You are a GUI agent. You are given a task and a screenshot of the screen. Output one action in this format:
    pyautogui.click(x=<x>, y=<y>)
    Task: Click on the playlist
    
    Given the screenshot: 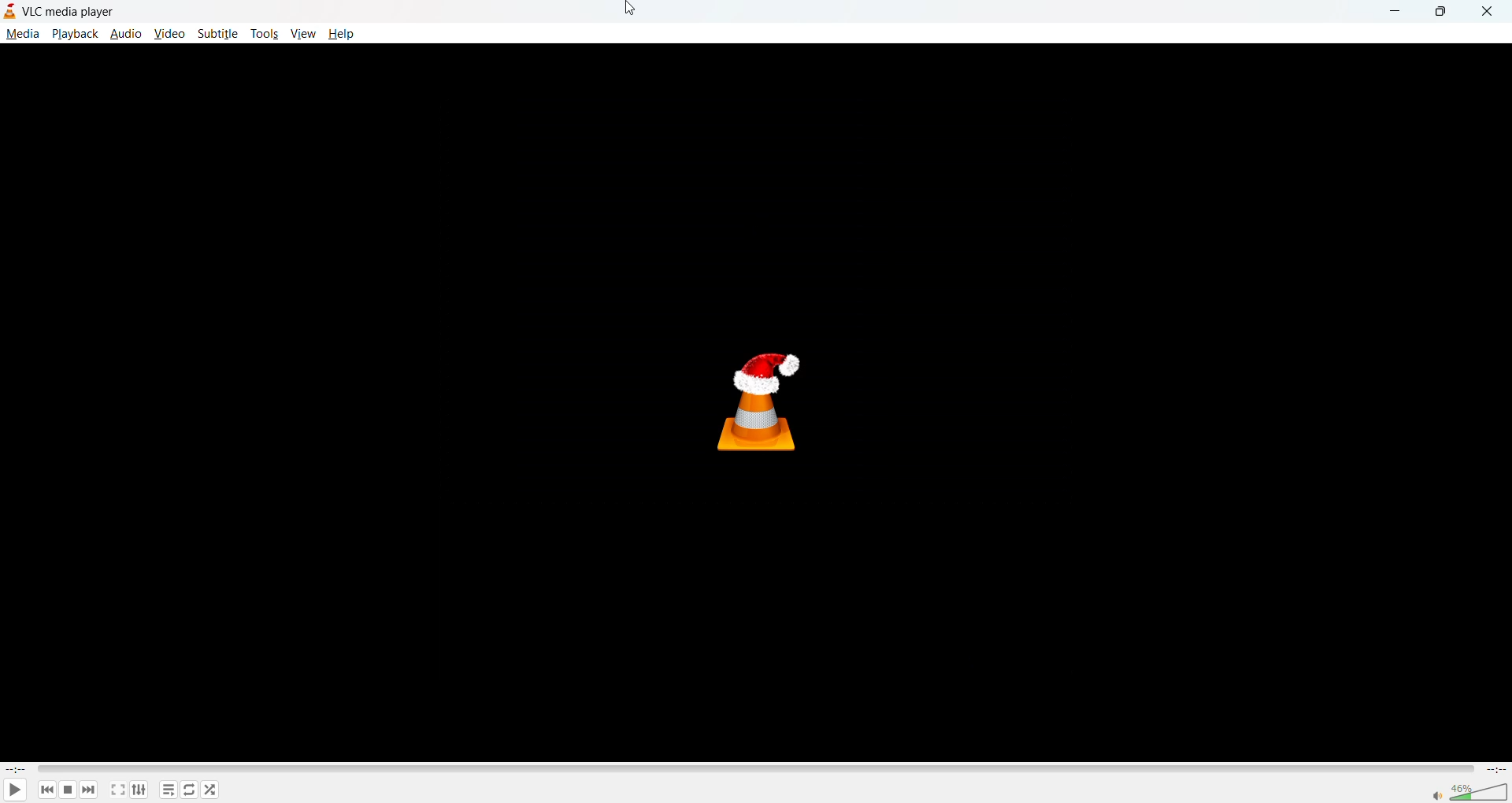 What is the action you would take?
    pyautogui.click(x=169, y=790)
    